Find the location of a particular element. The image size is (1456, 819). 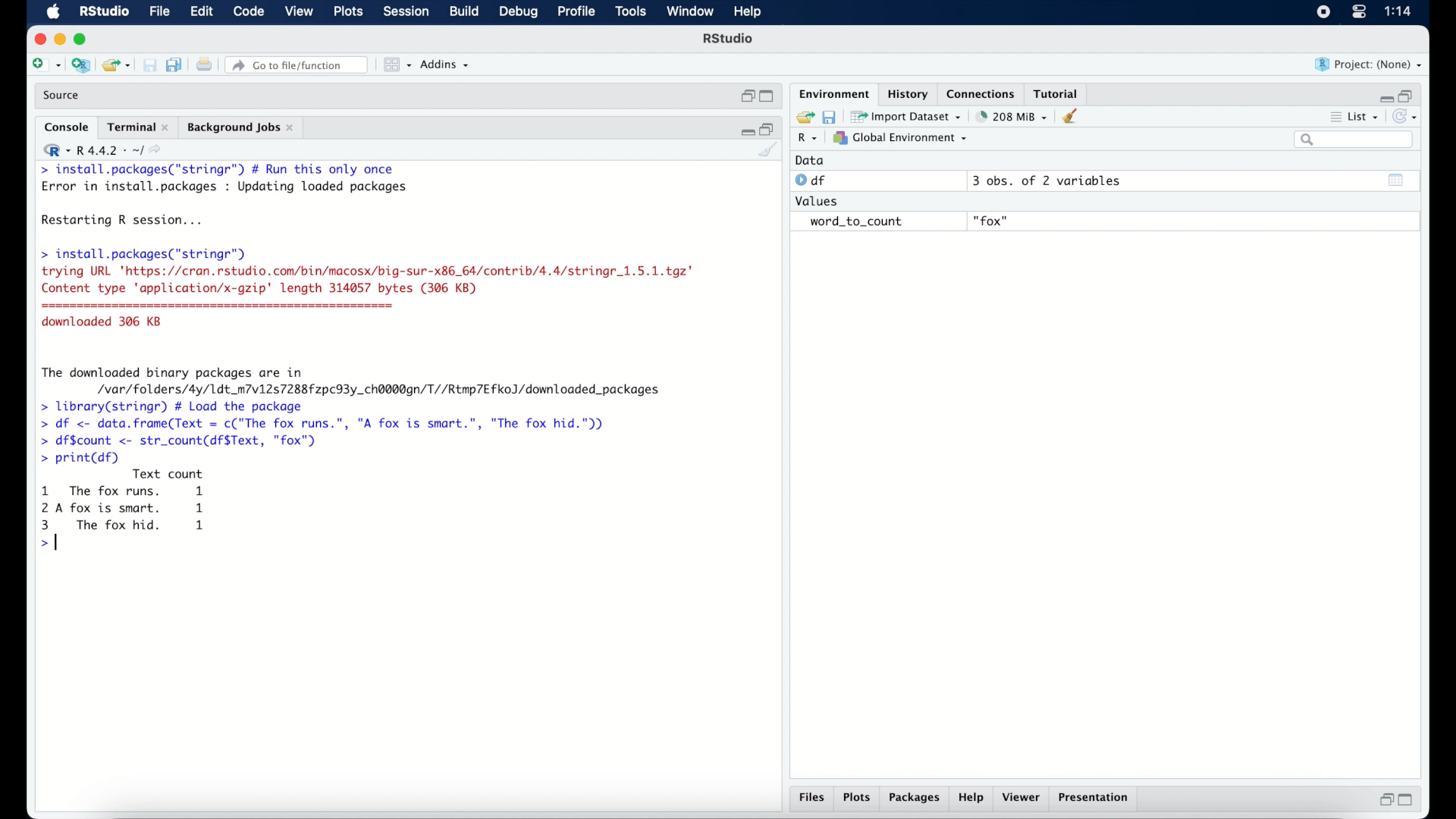

viewer is located at coordinates (1022, 798).